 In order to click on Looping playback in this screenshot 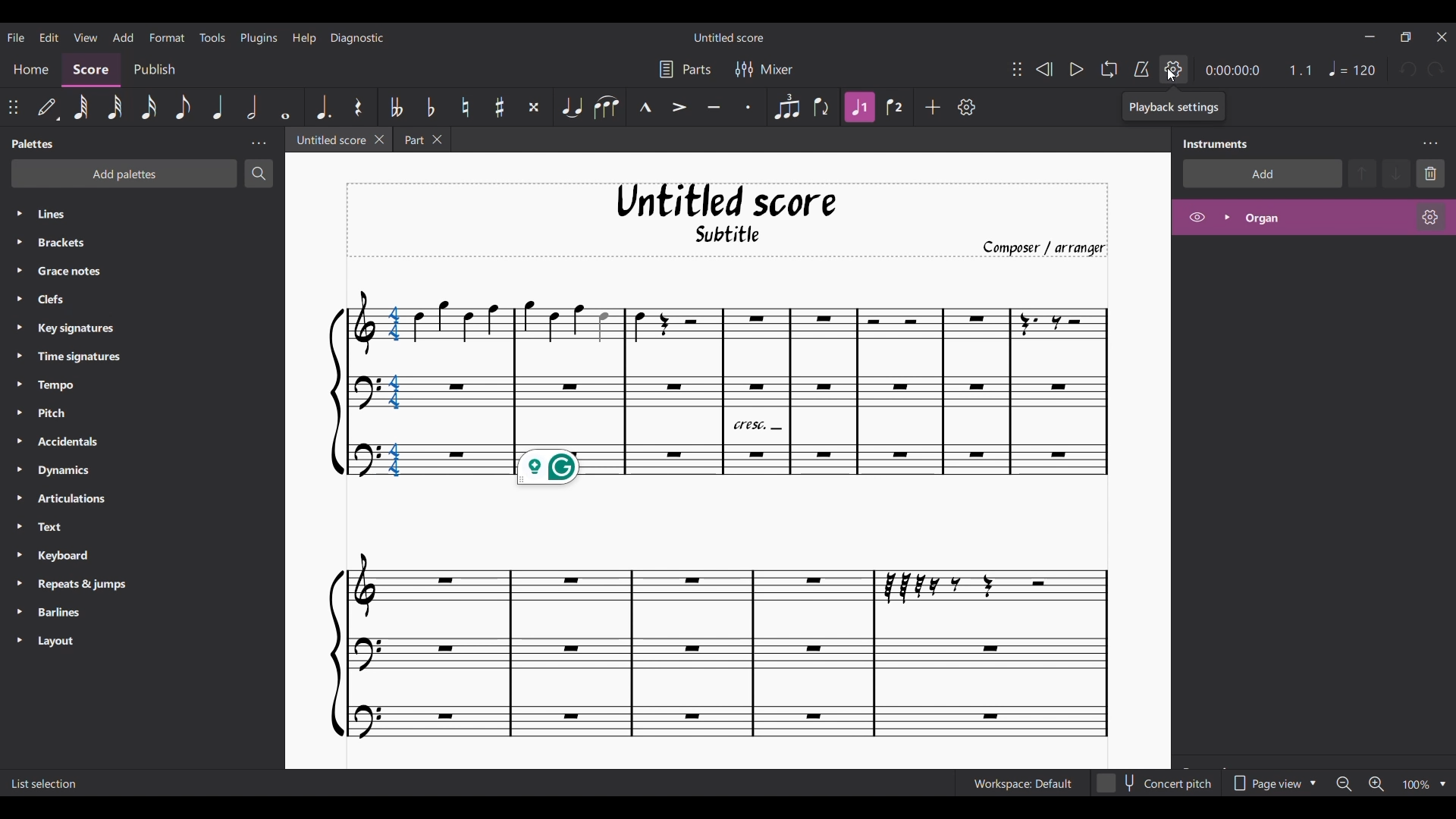, I will do `click(1109, 69)`.